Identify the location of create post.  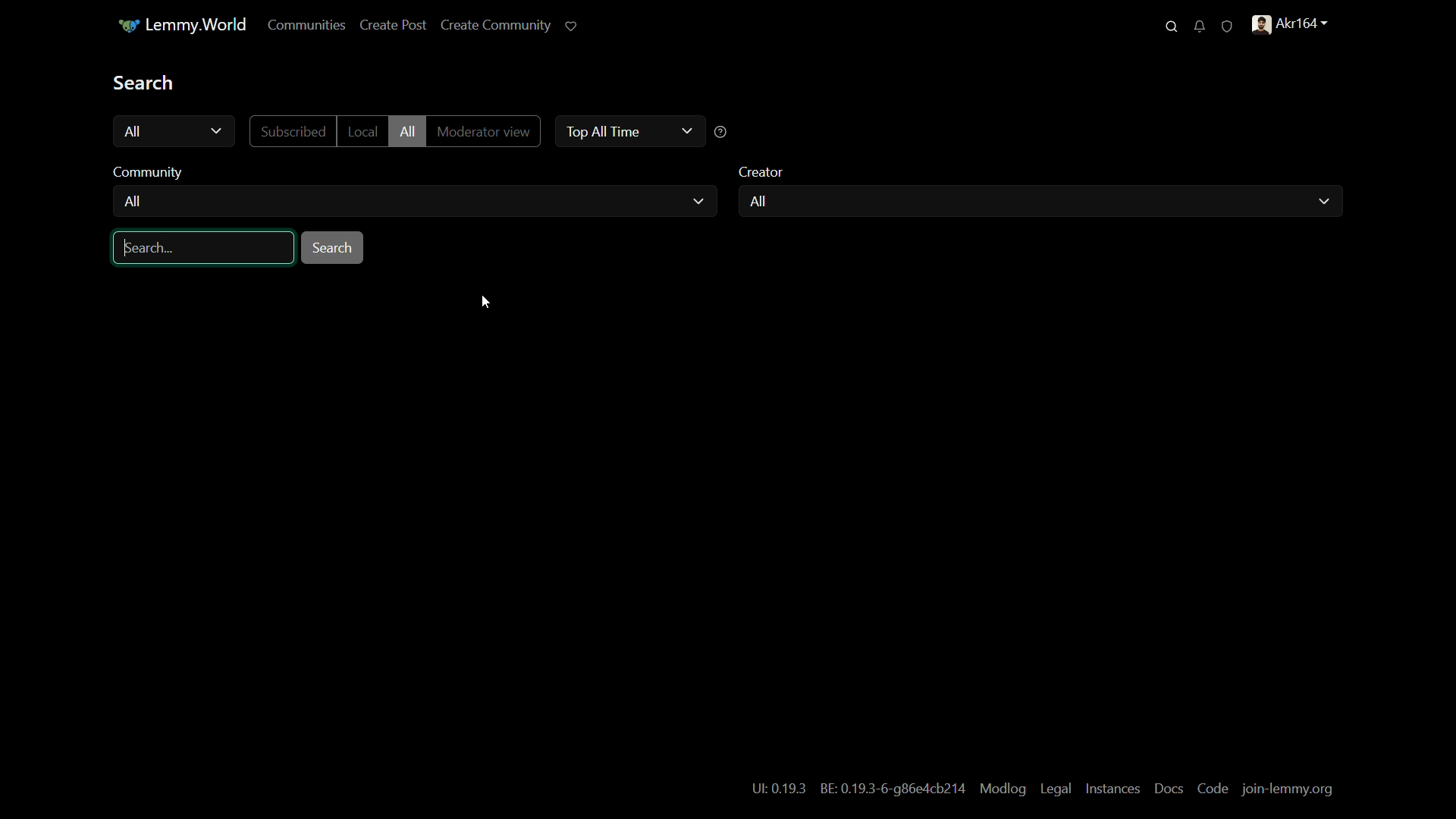
(394, 26).